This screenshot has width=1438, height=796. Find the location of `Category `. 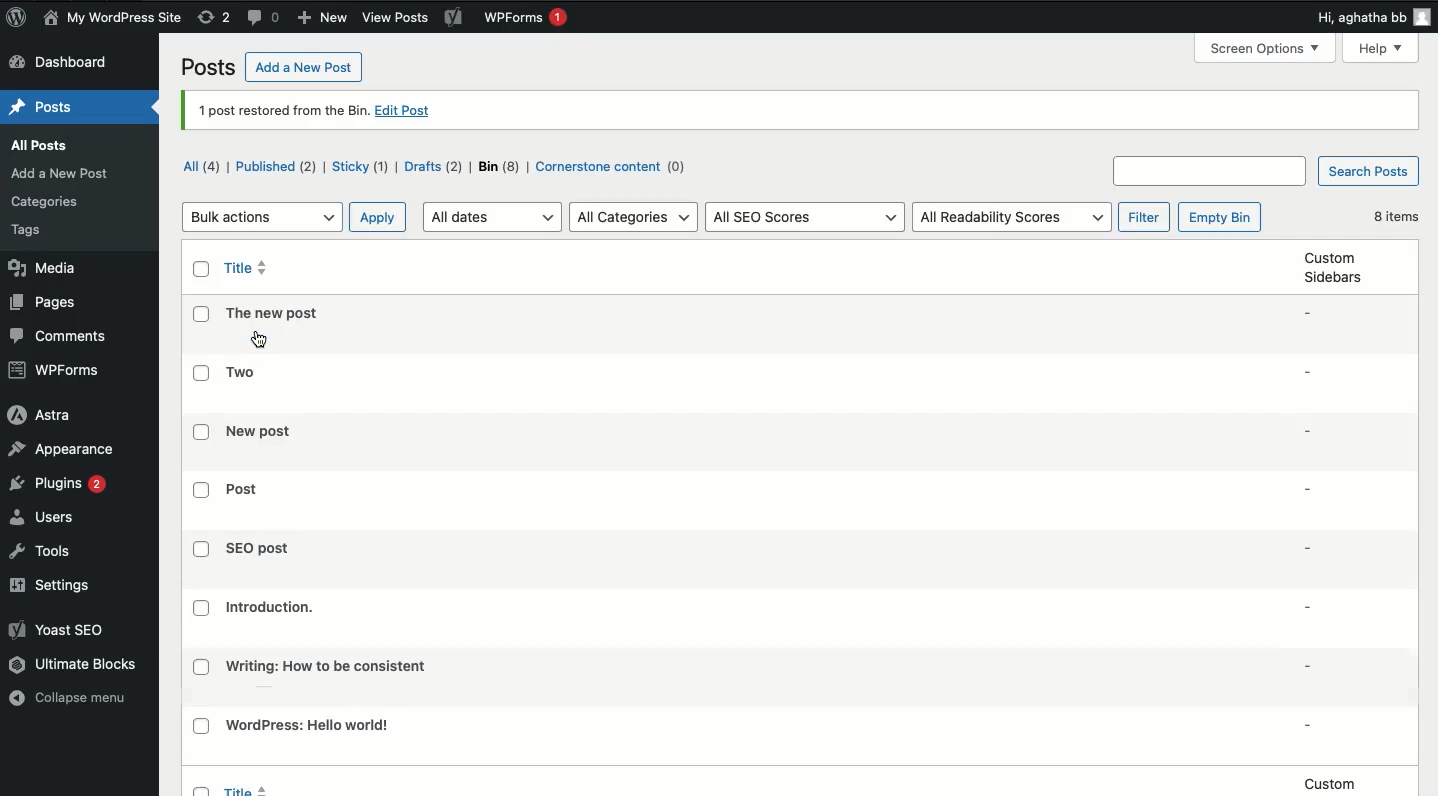

Category  is located at coordinates (46, 202).